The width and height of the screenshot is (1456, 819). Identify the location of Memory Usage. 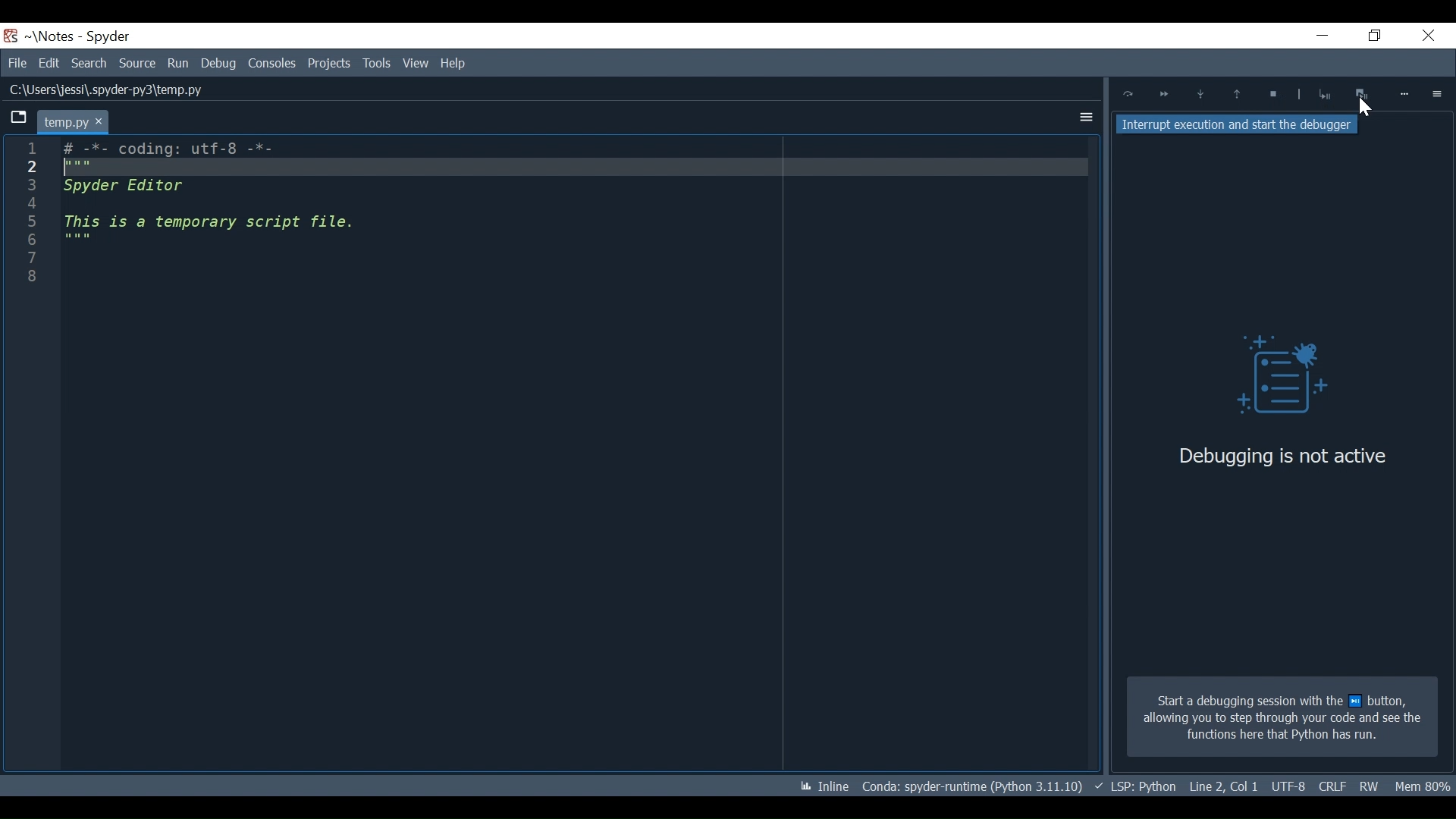
(1424, 786).